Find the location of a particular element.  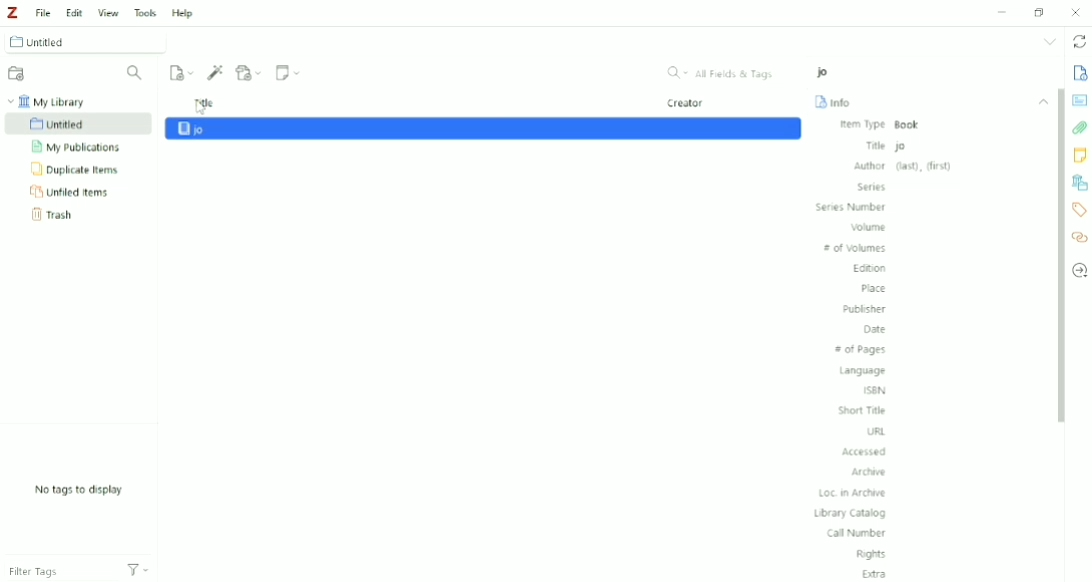

Notes is located at coordinates (1079, 155).